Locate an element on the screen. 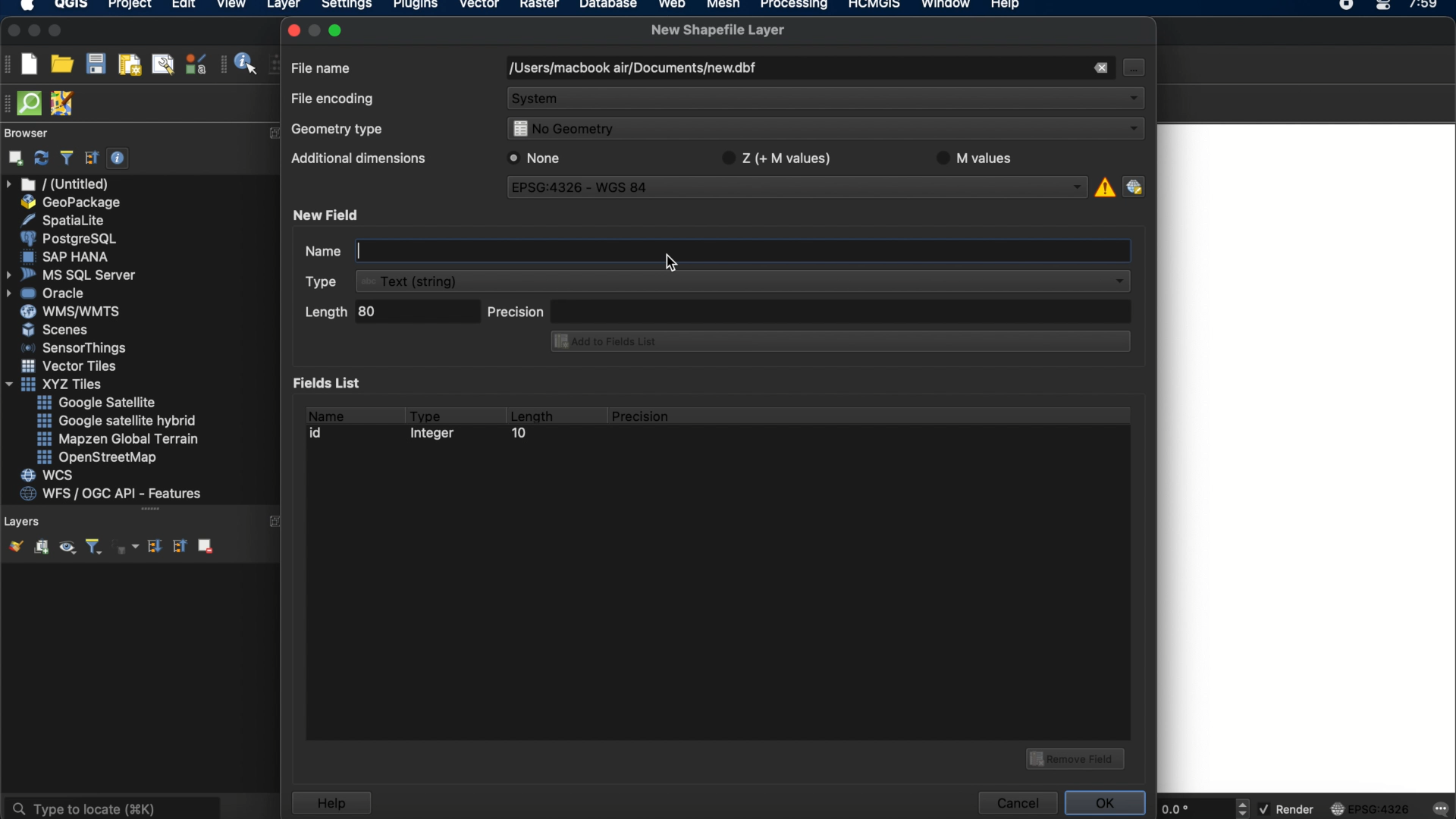 The width and height of the screenshot is (1456, 819). messages is located at coordinates (1439, 810).